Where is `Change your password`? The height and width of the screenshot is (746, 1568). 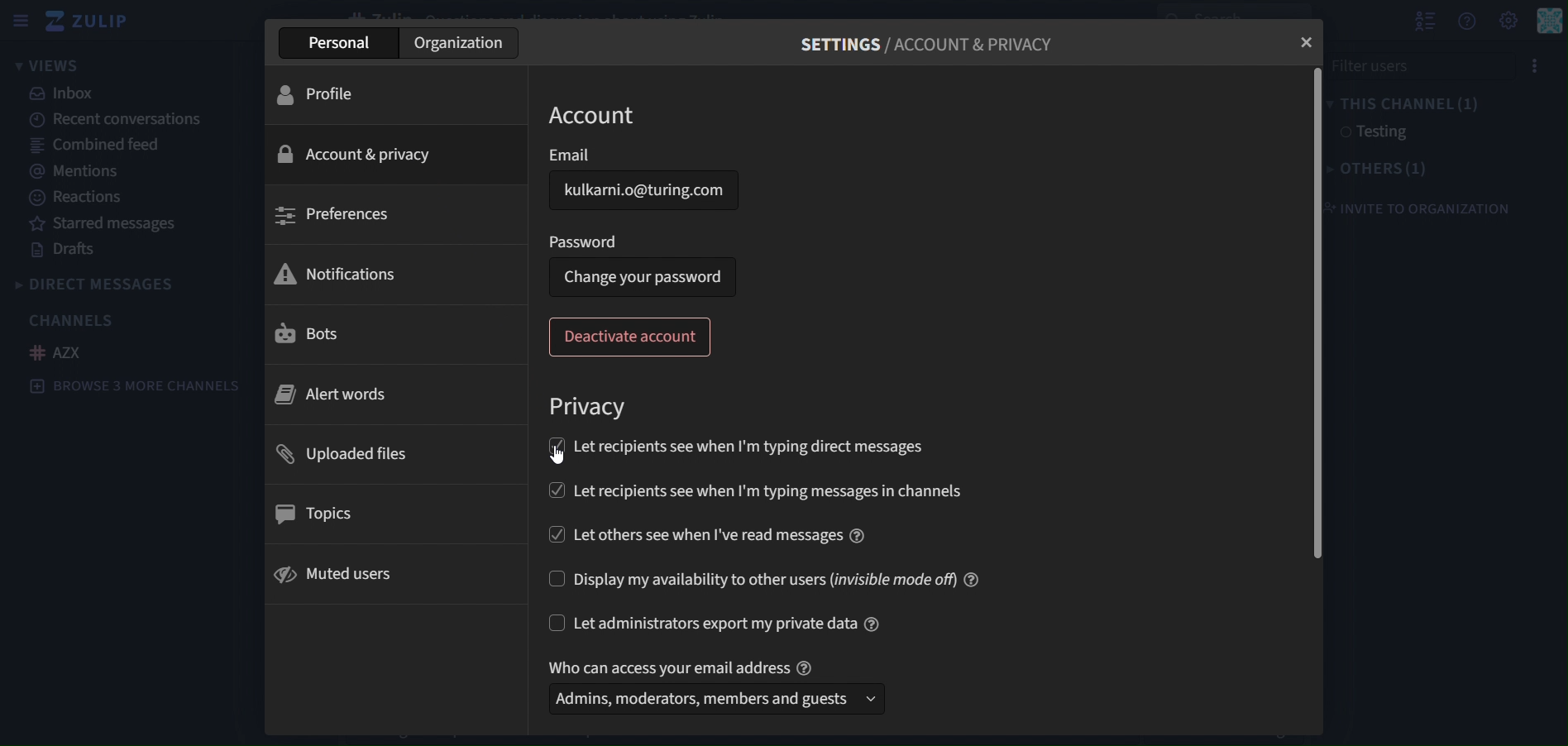
Change your password is located at coordinates (643, 276).